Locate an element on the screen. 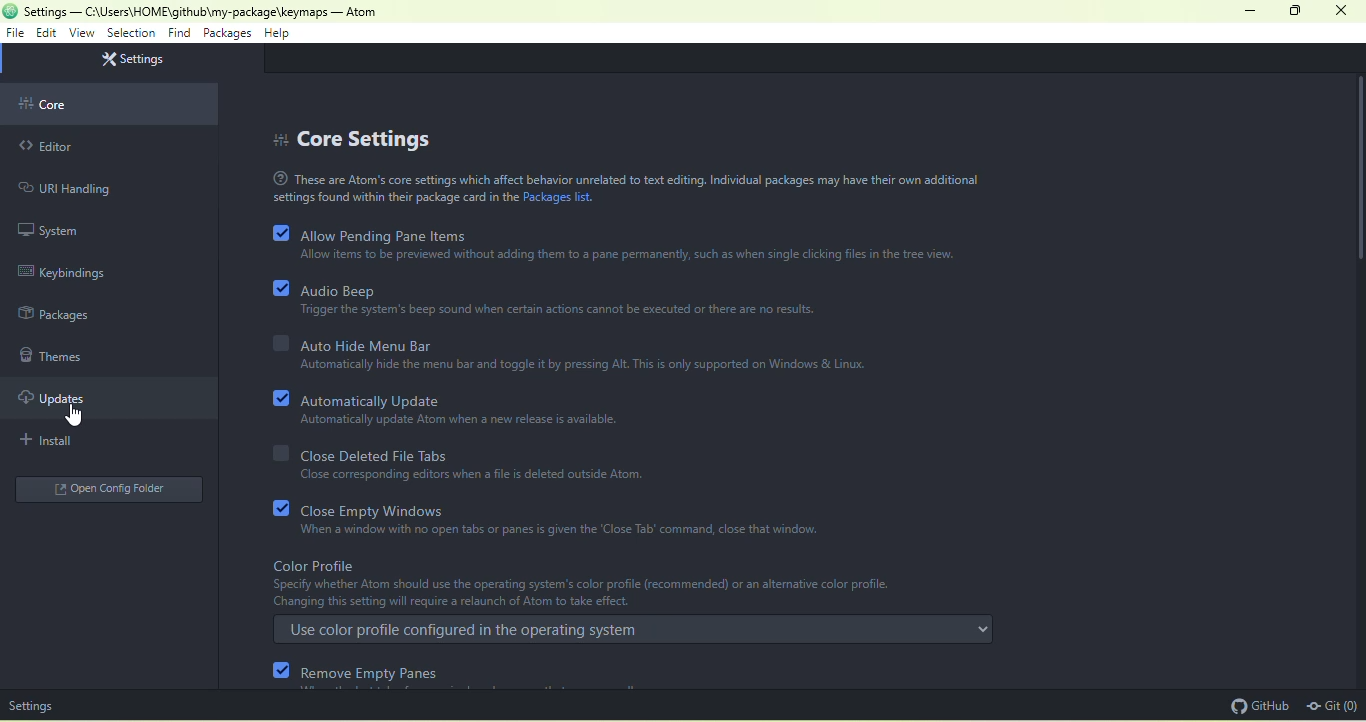 Image resolution: width=1366 pixels, height=722 pixels. checkbox with ticks is located at coordinates (280, 288).